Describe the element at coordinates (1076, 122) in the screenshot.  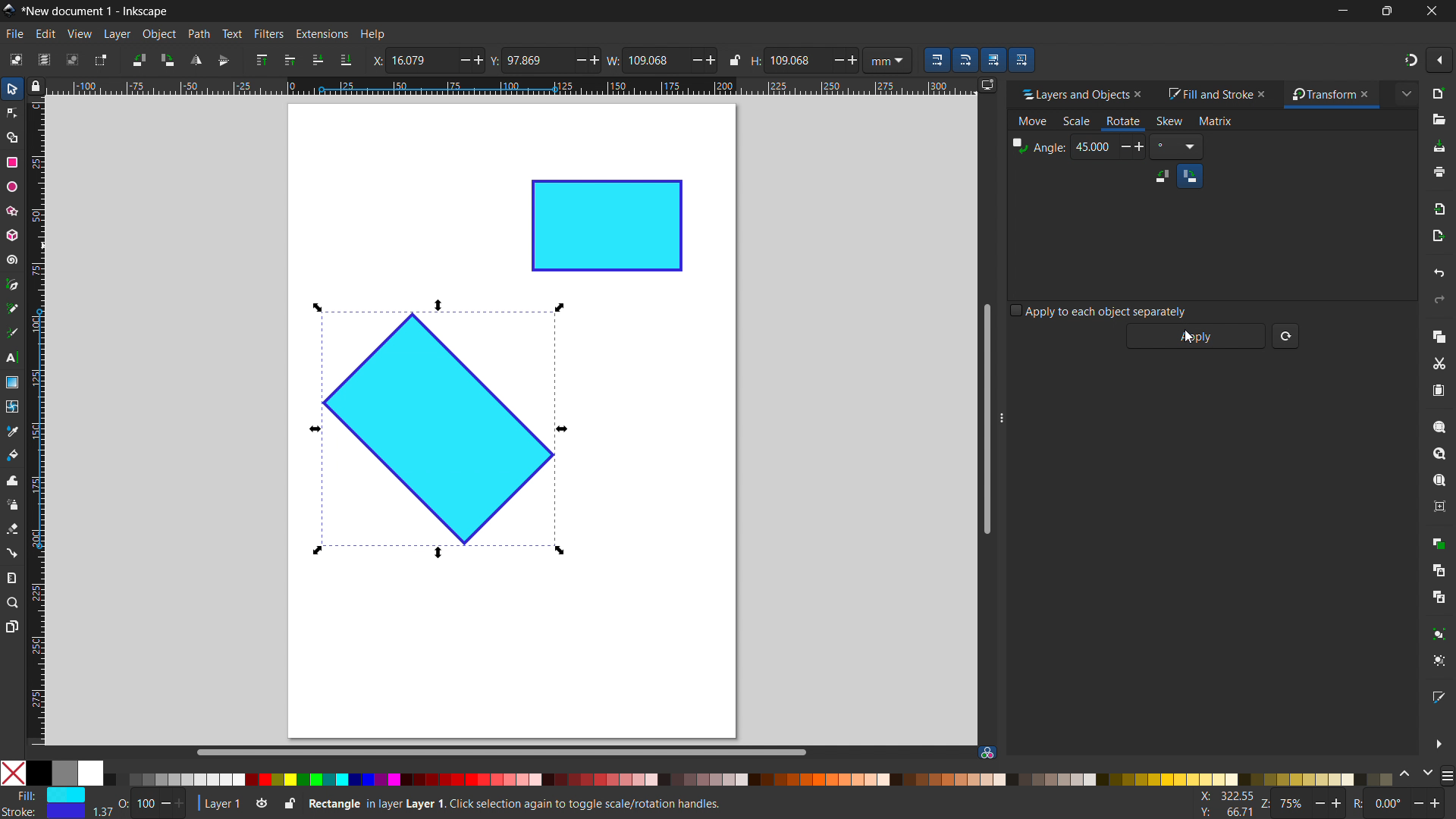
I see `scale` at that location.